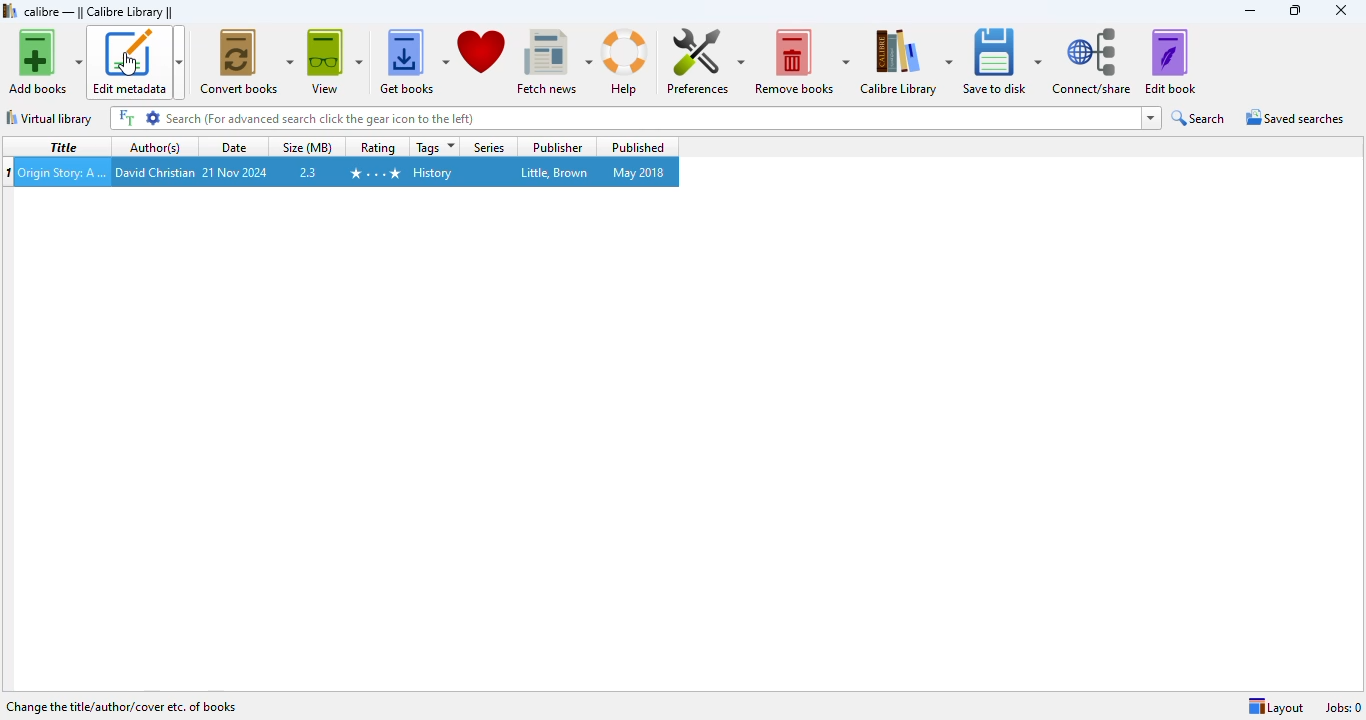  I want to click on connect/share, so click(1092, 60).